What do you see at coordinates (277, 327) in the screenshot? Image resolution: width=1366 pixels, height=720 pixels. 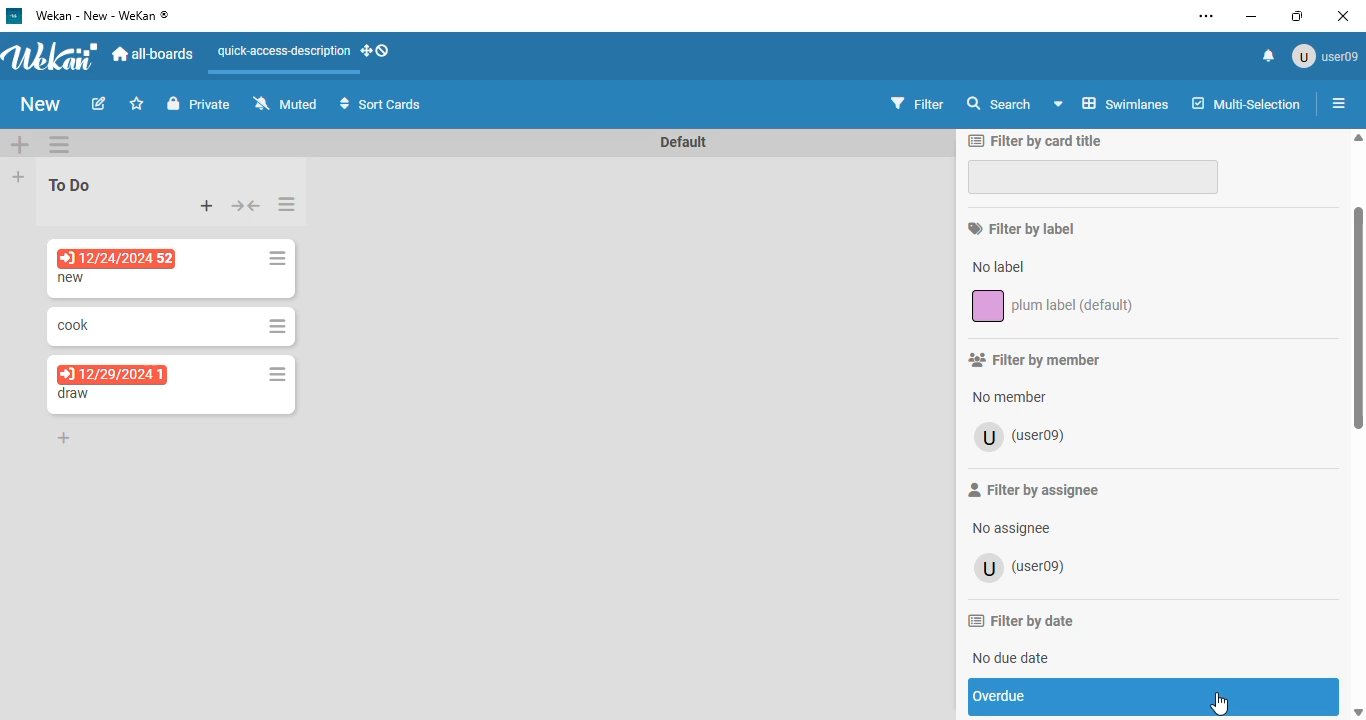 I see `card actions` at bounding box center [277, 327].